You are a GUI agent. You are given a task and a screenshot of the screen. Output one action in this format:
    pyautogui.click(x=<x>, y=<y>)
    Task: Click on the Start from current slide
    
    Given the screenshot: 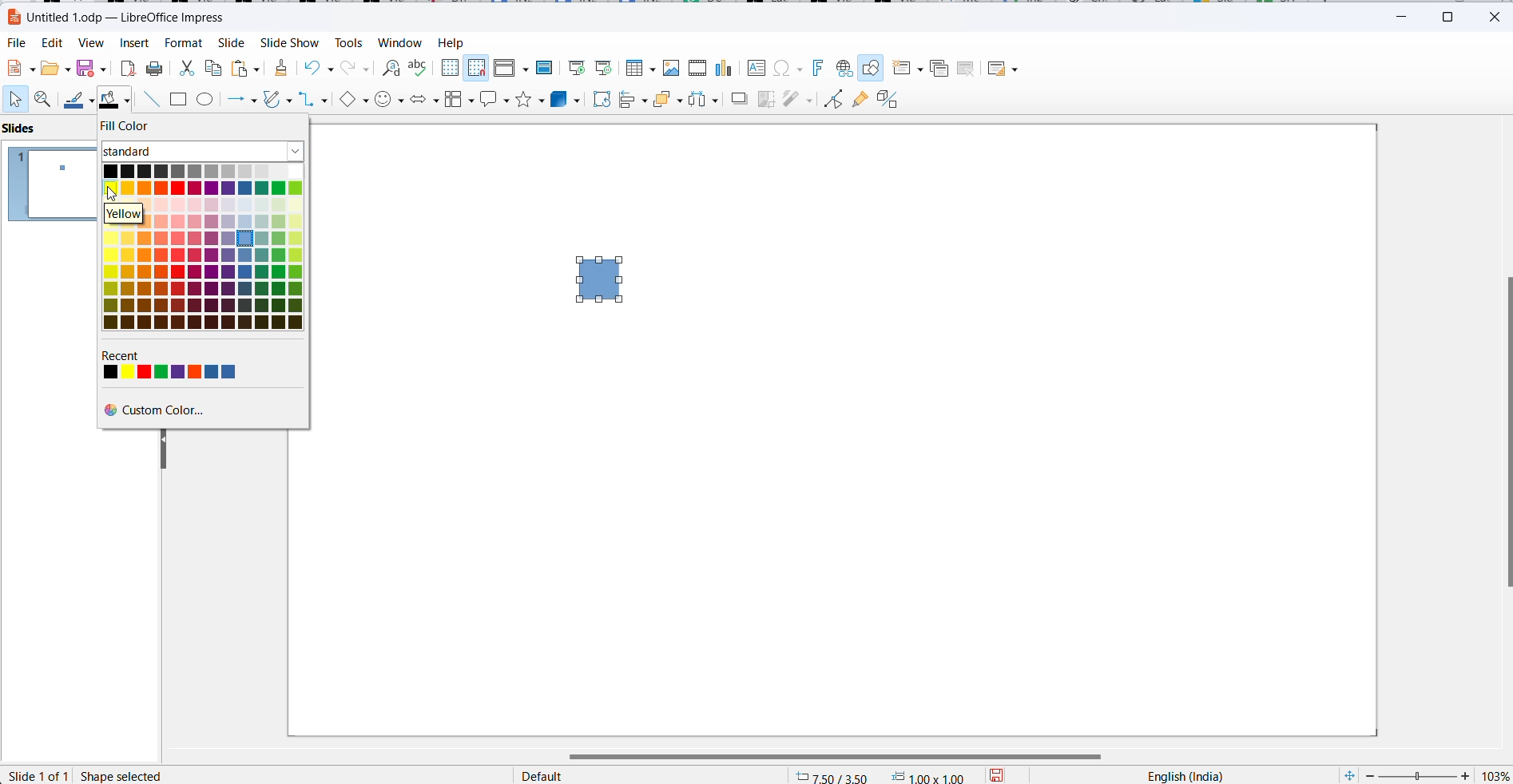 What is the action you would take?
    pyautogui.click(x=604, y=68)
    